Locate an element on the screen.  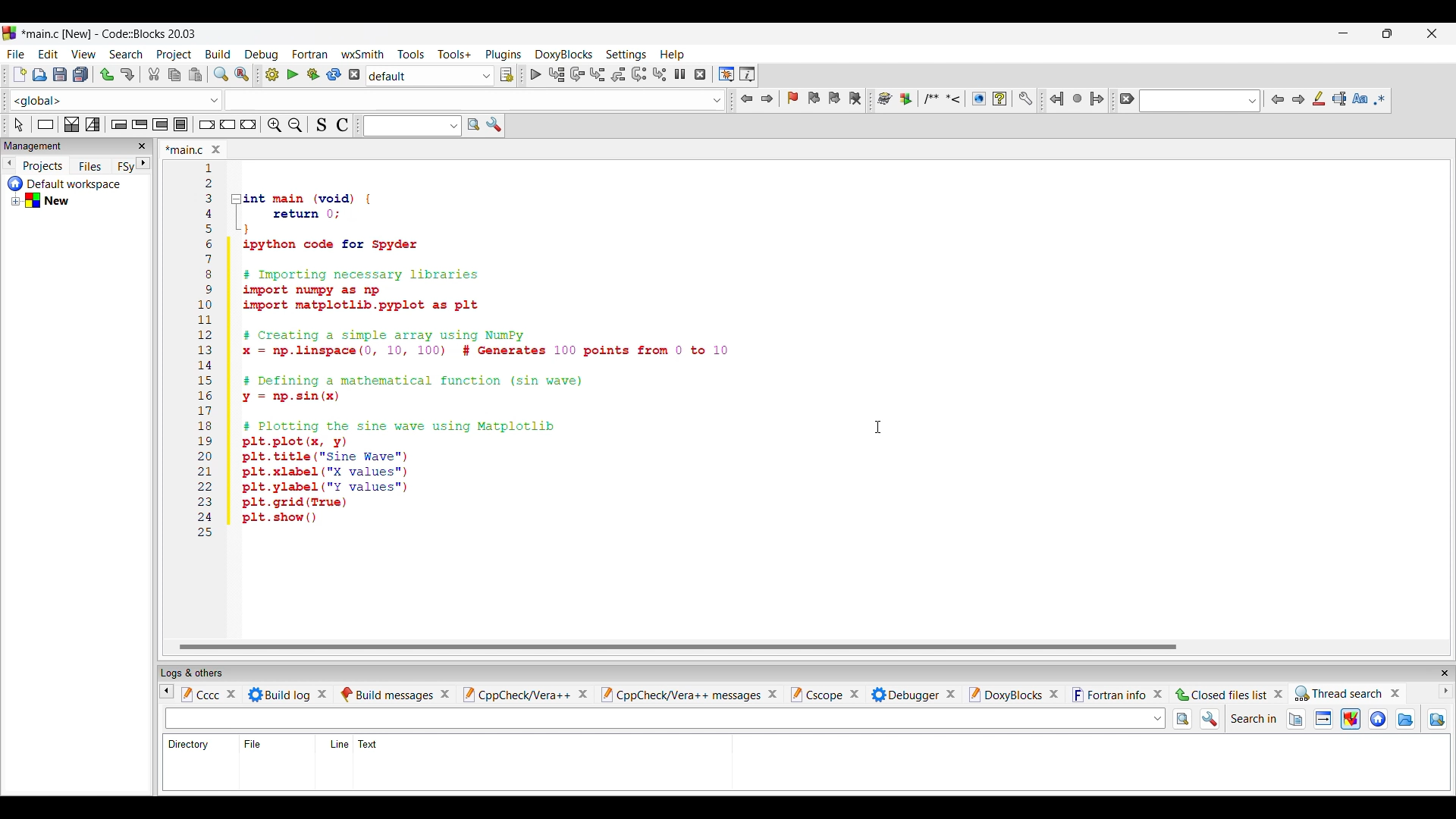
 is located at coordinates (1012, 693).